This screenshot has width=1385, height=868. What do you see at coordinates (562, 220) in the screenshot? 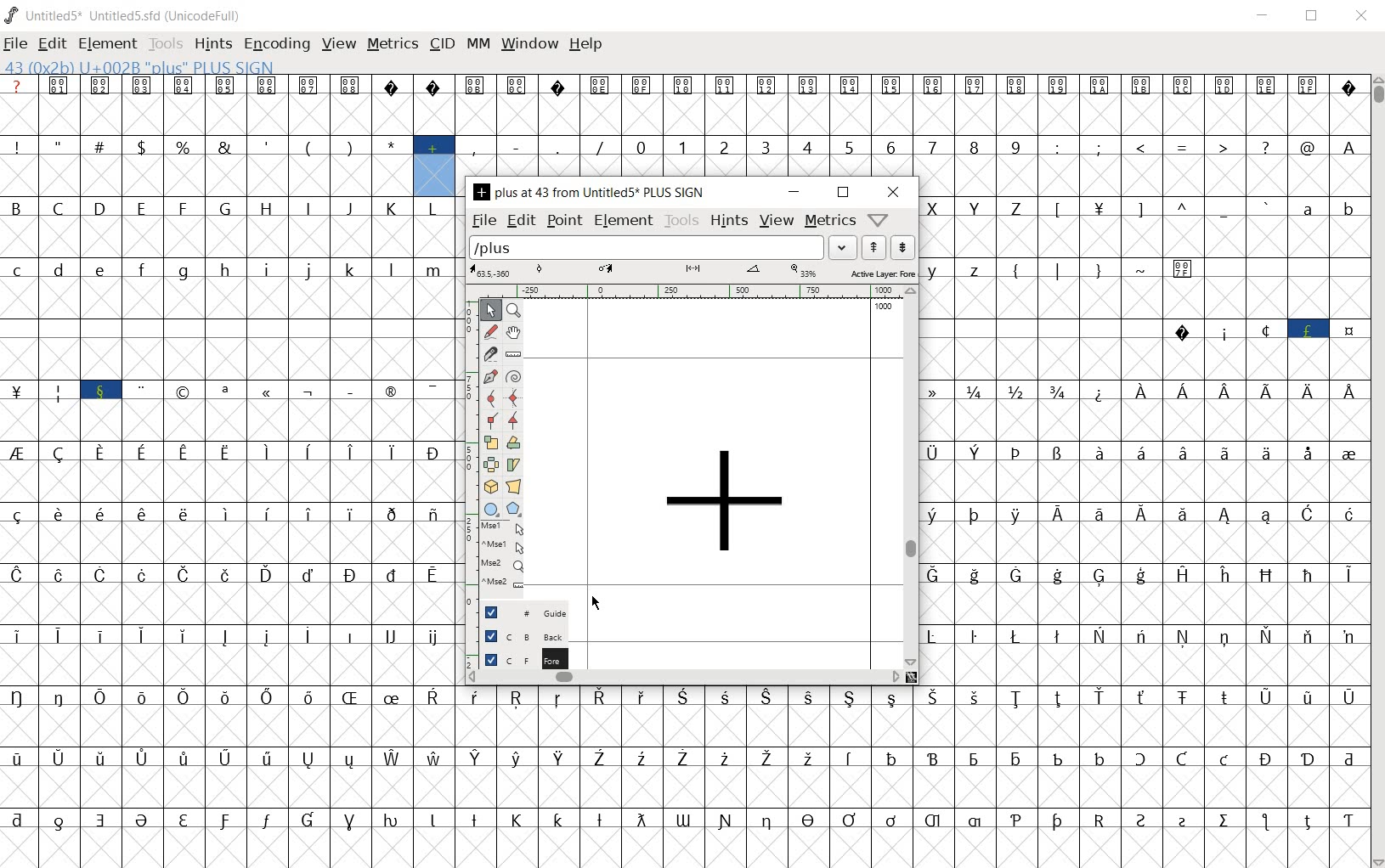
I see `point` at bounding box center [562, 220].